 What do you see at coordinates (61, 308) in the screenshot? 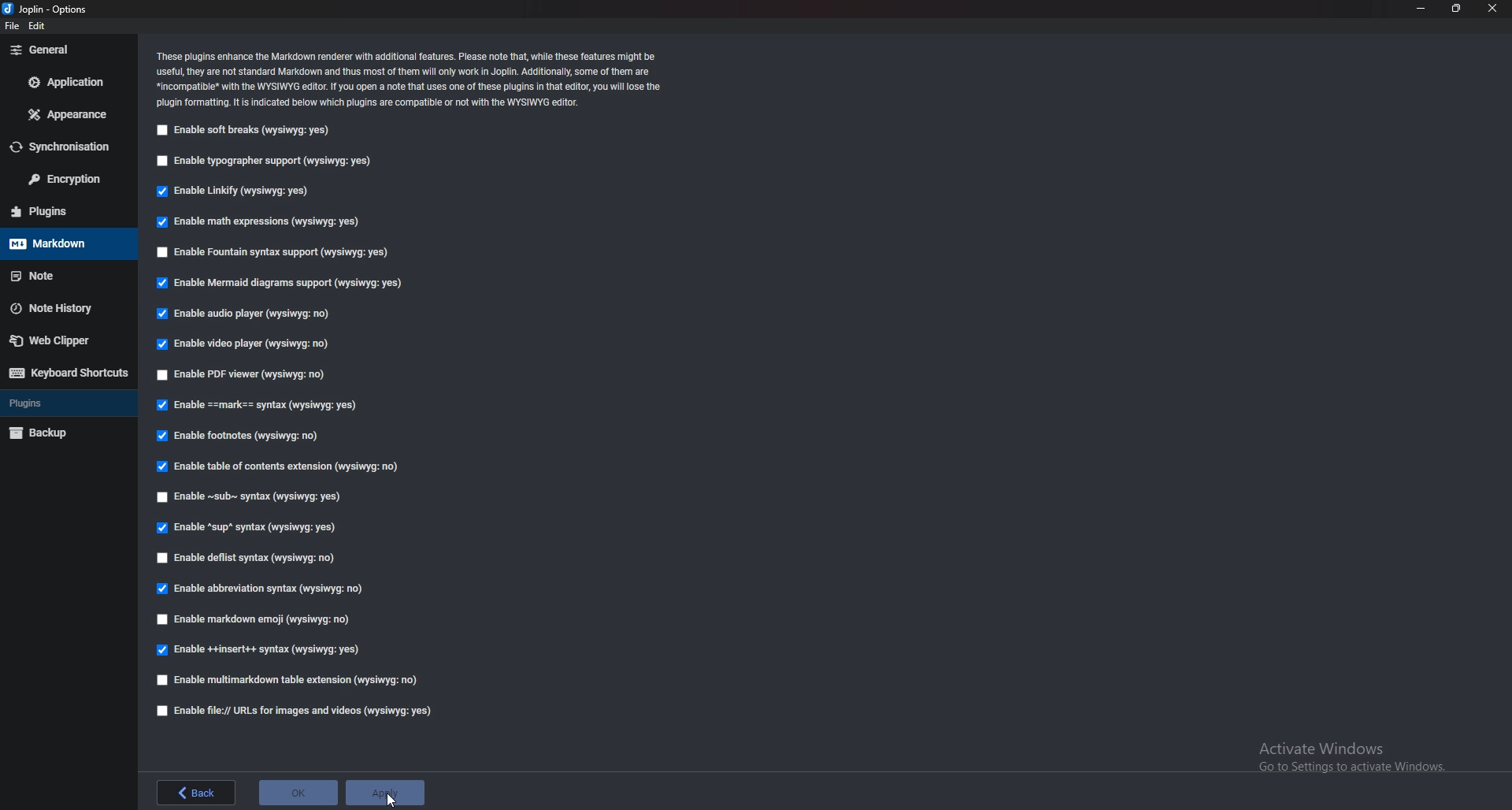
I see `Note history` at bounding box center [61, 308].